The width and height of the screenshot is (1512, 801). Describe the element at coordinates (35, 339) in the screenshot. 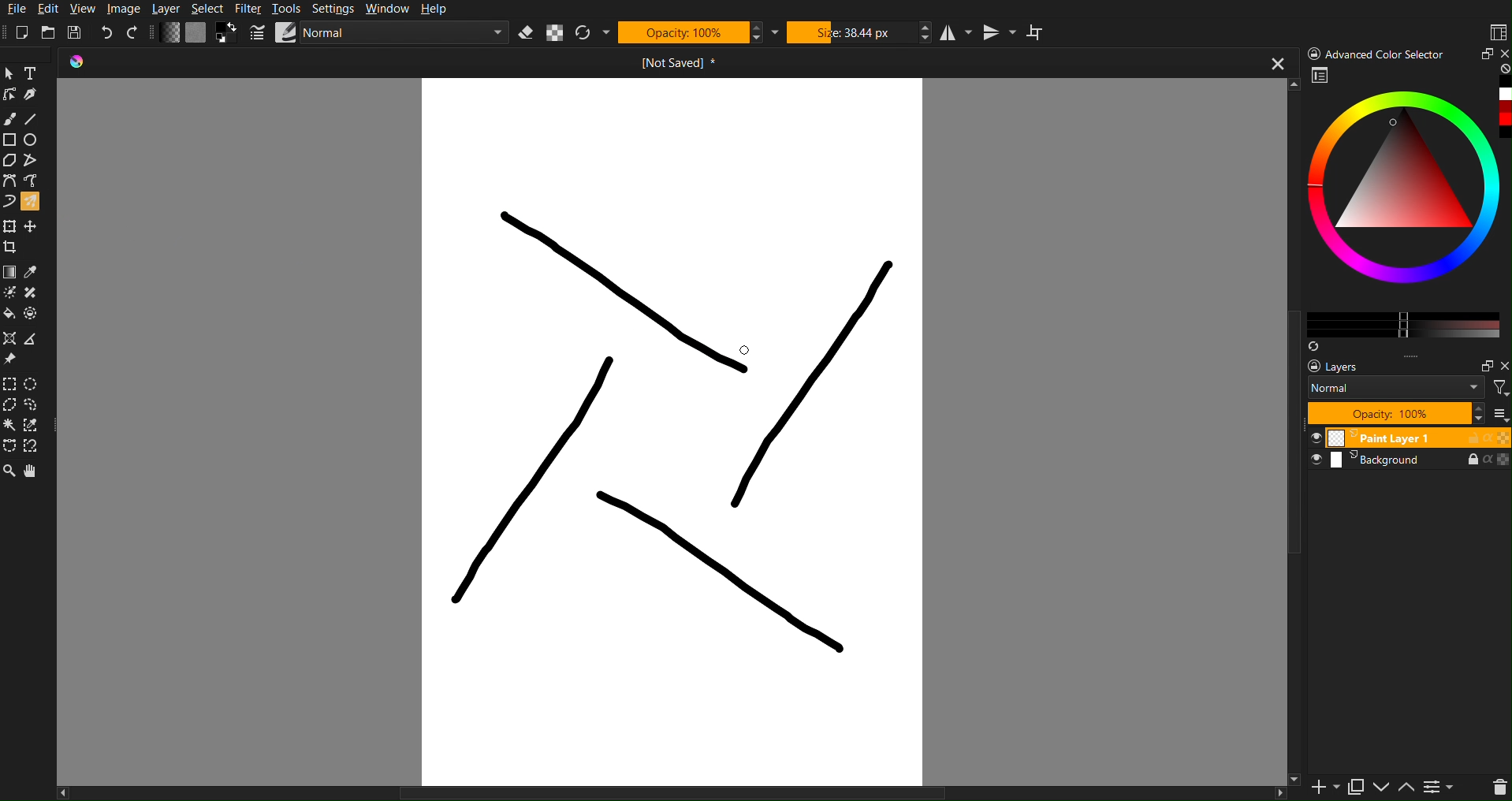

I see `Measure Tool` at that location.